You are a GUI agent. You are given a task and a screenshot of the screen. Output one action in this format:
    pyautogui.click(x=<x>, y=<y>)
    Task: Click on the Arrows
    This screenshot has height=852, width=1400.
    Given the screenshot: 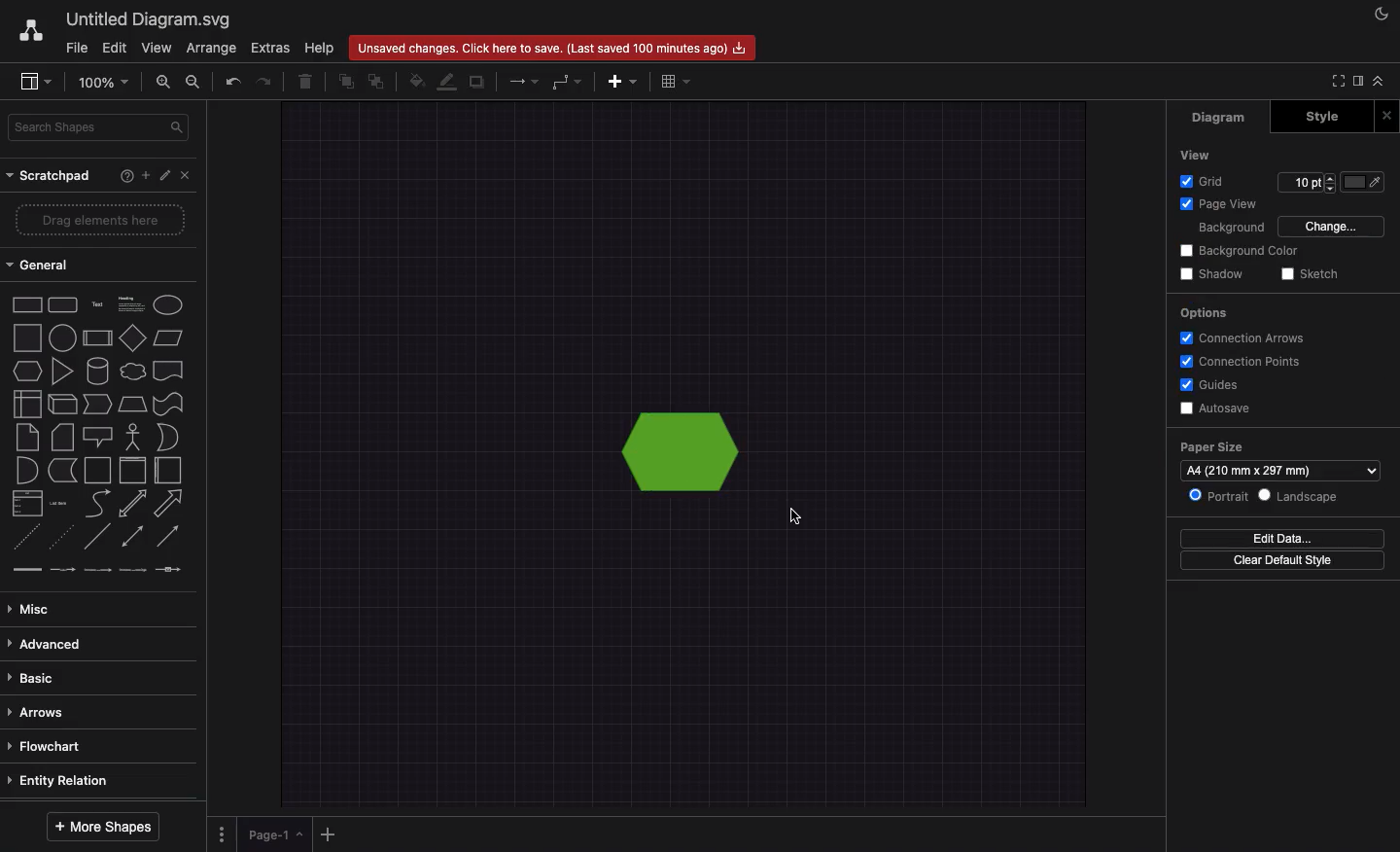 What is the action you would take?
    pyautogui.click(x=40, y=711)
    